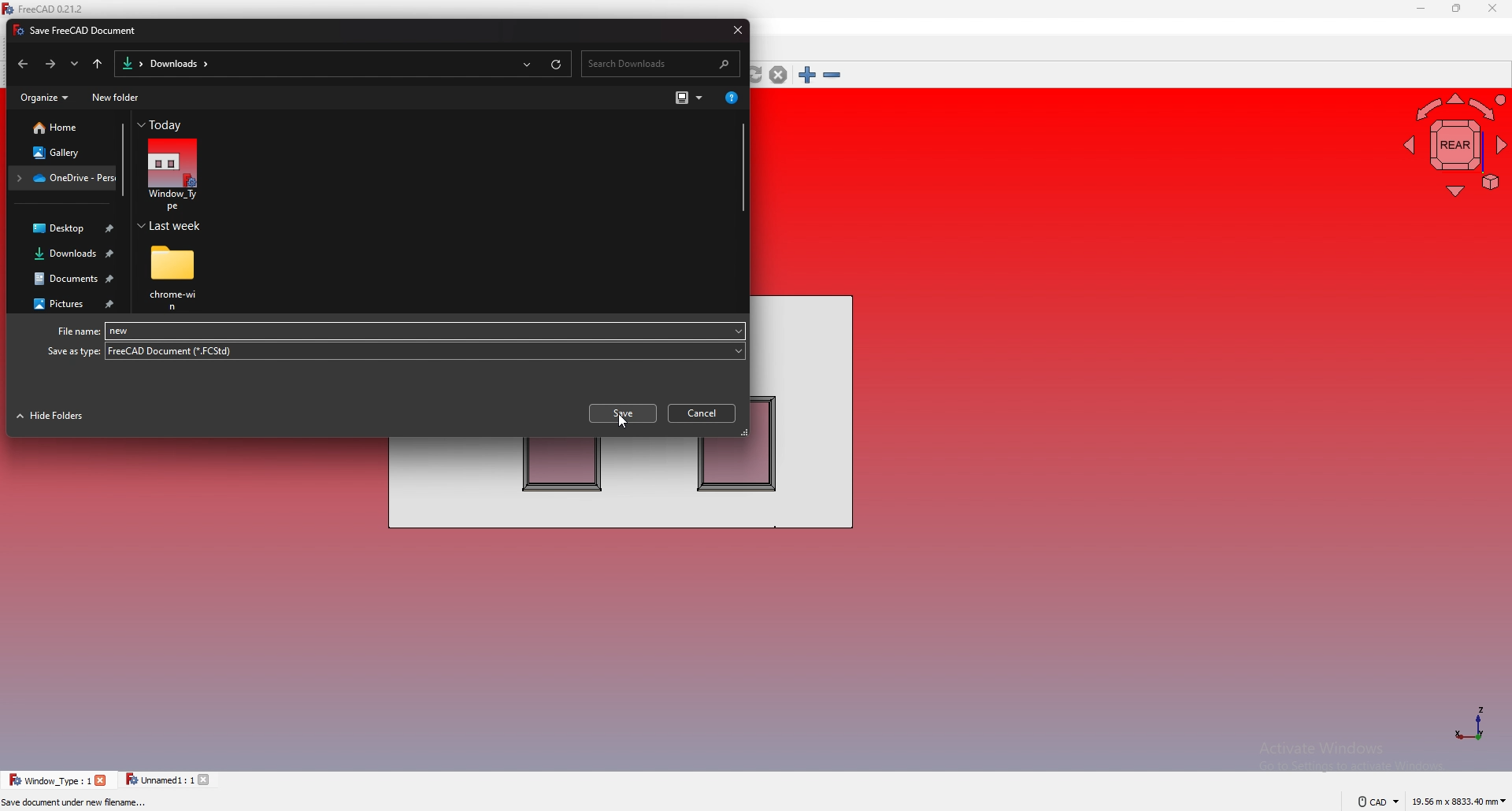 The height and width of the screenshot is (811, 1512). What do you see at coordinates (63, 178) in the screenshot?
I see `OJrewrive - Per` at bounding box center [63, 178].